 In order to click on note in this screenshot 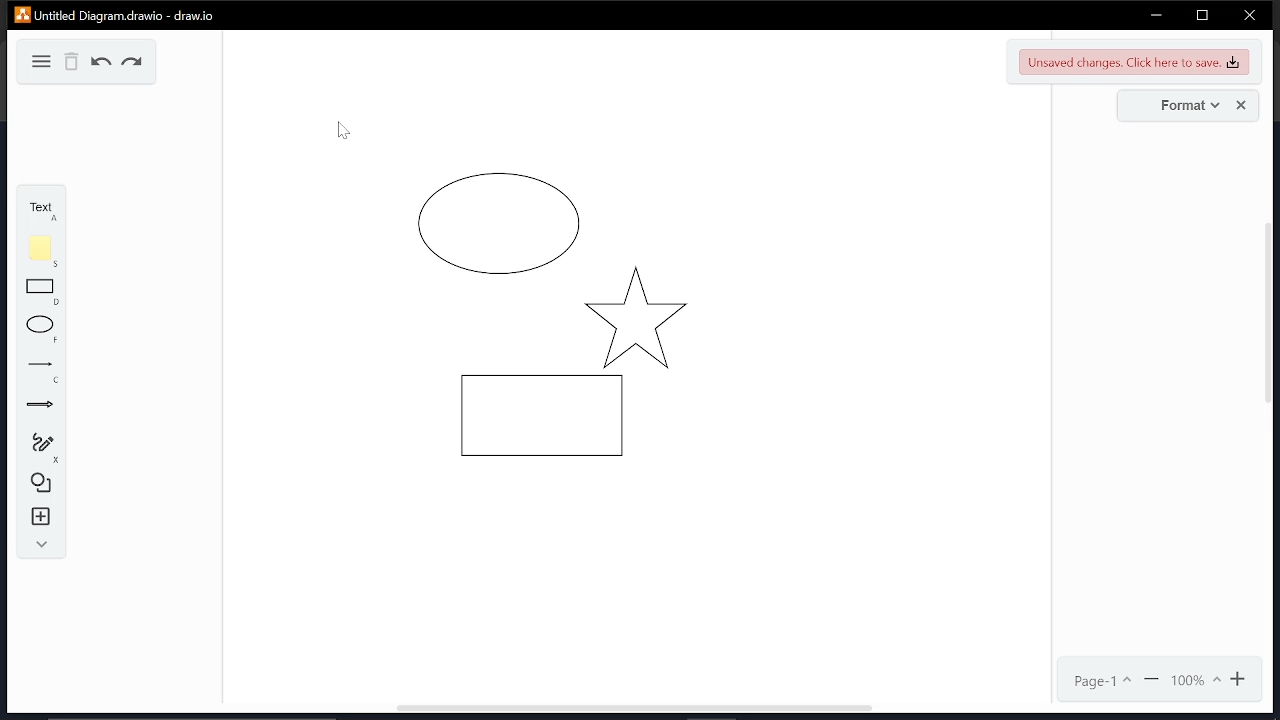, I will do `click(44, 251)`.